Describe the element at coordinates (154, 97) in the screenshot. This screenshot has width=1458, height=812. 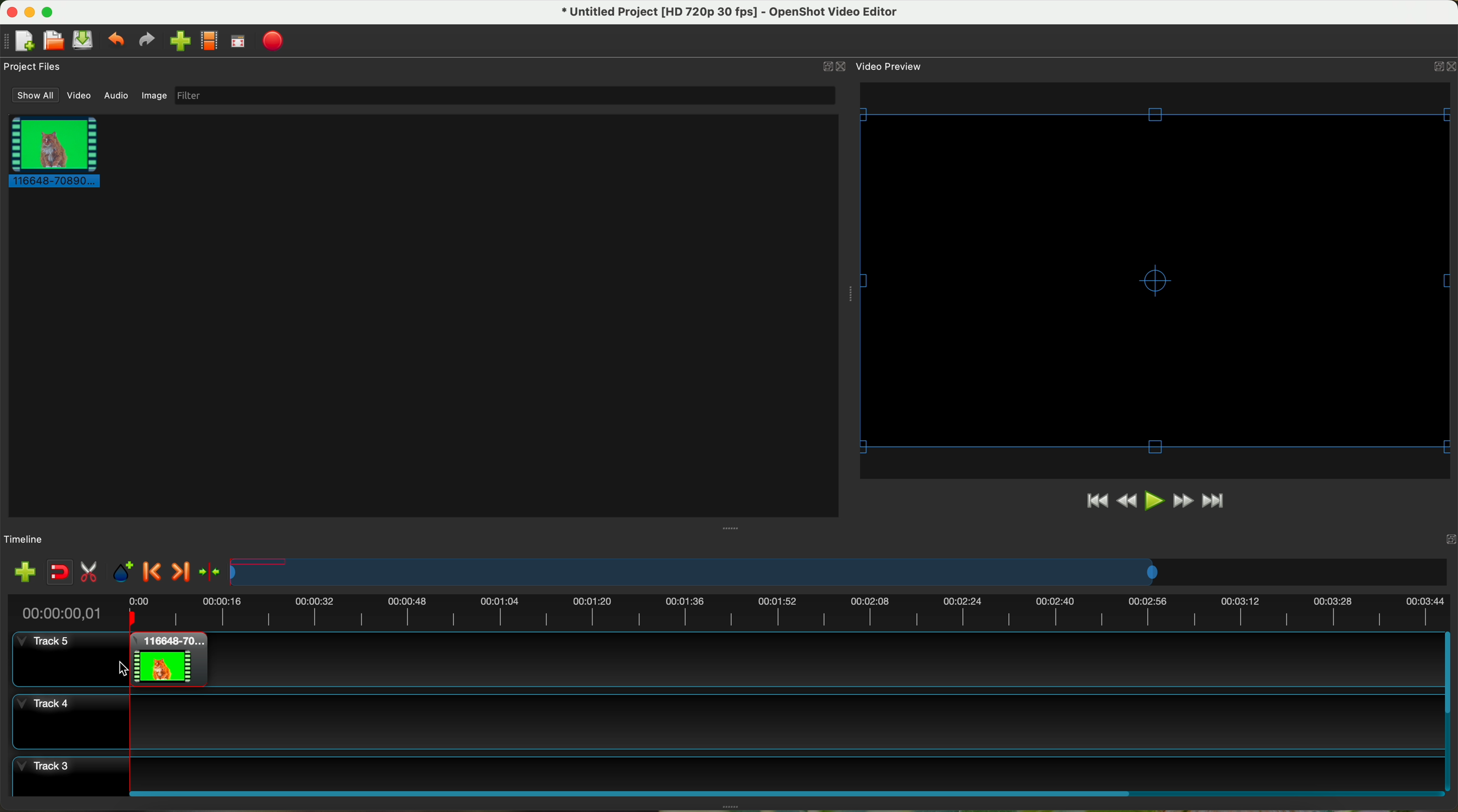
I see `image` at that location.